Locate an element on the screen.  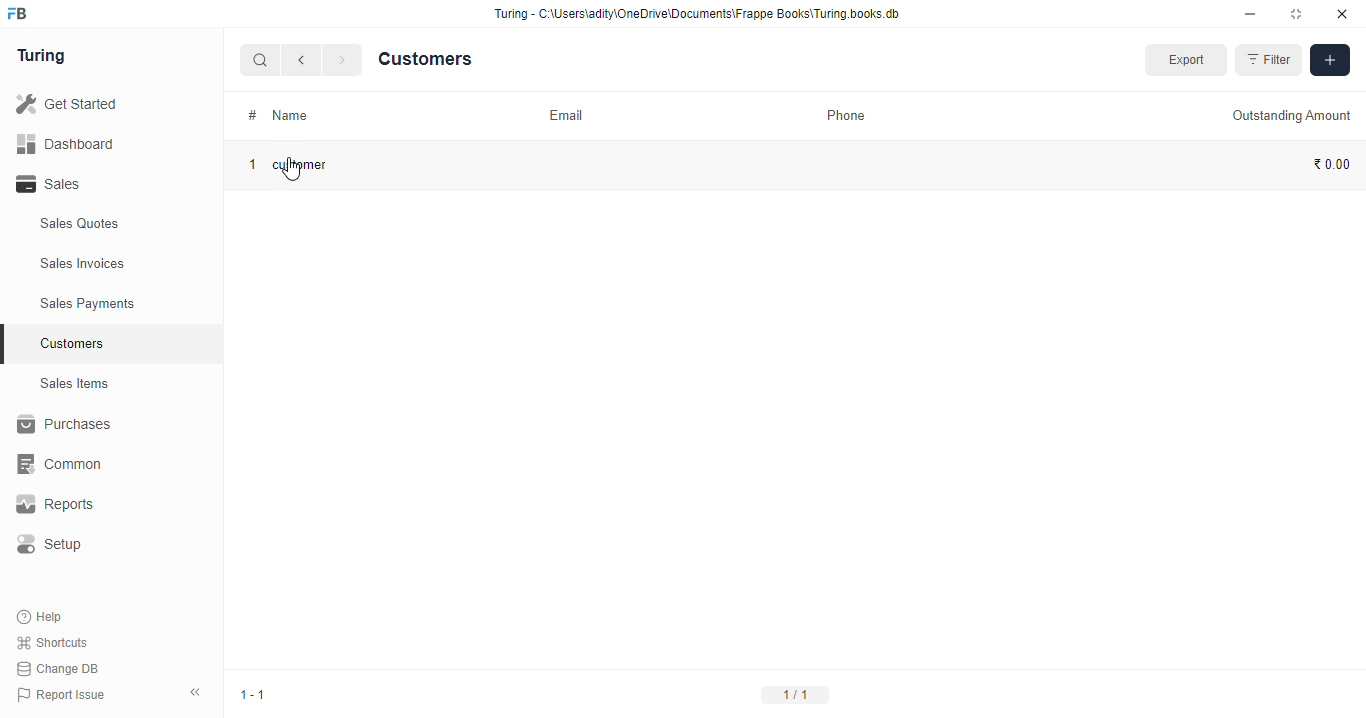
Sales Payments is located at coordinates (118, 304).